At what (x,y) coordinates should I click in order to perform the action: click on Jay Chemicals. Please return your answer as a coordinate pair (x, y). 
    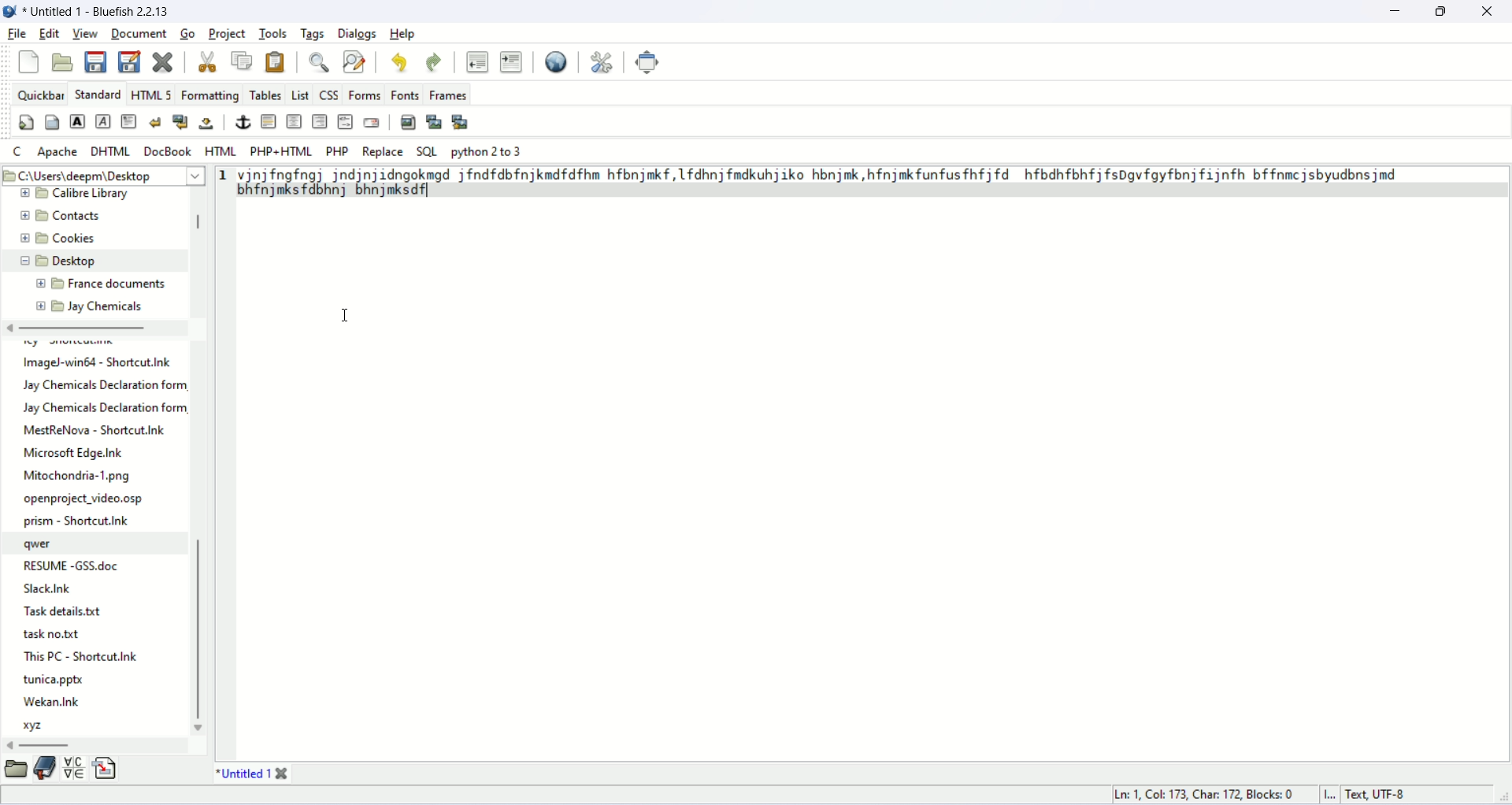
    Looking at the image, I should click on (105, 306).